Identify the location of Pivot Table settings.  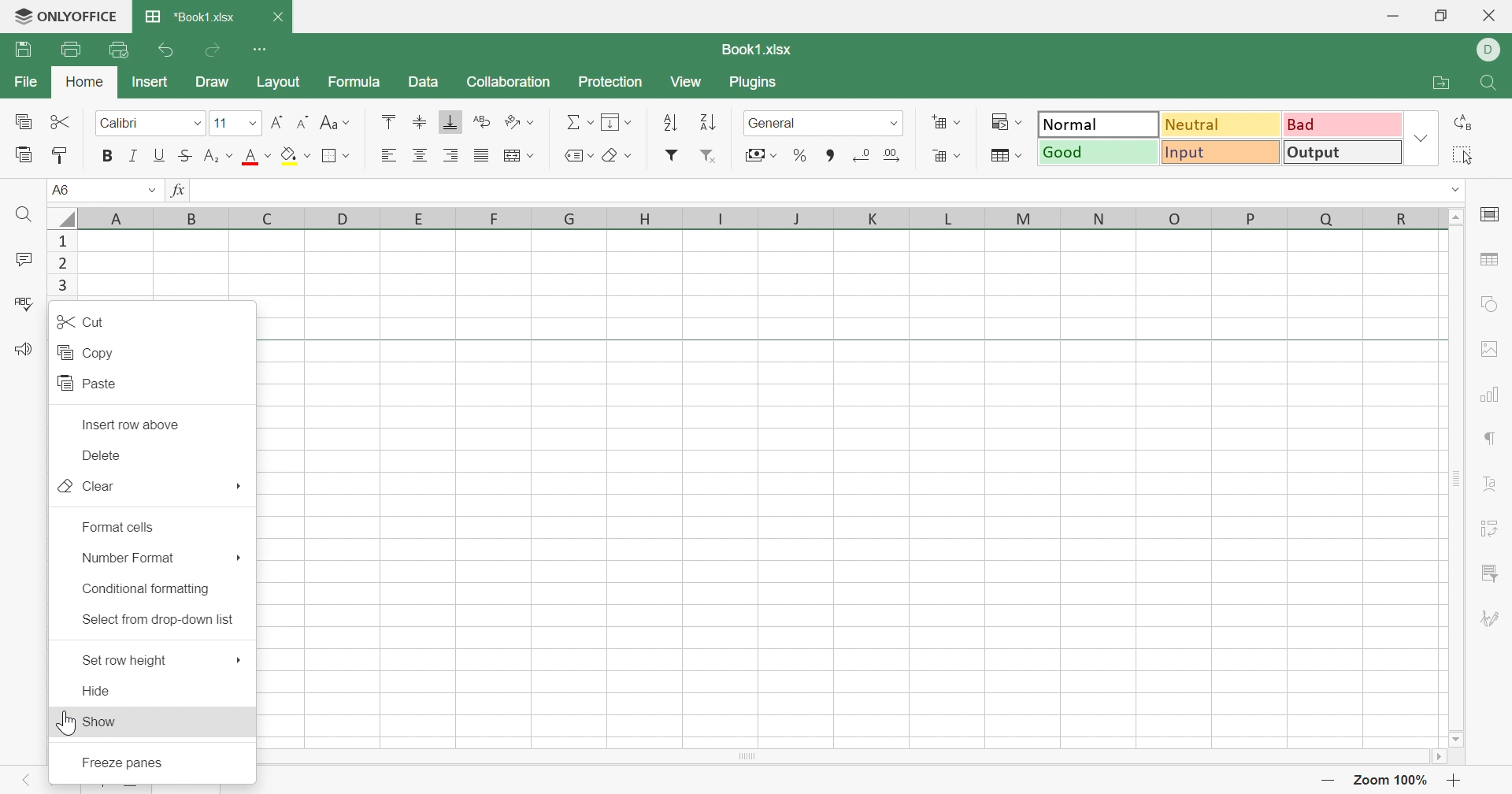
(1492, 529).